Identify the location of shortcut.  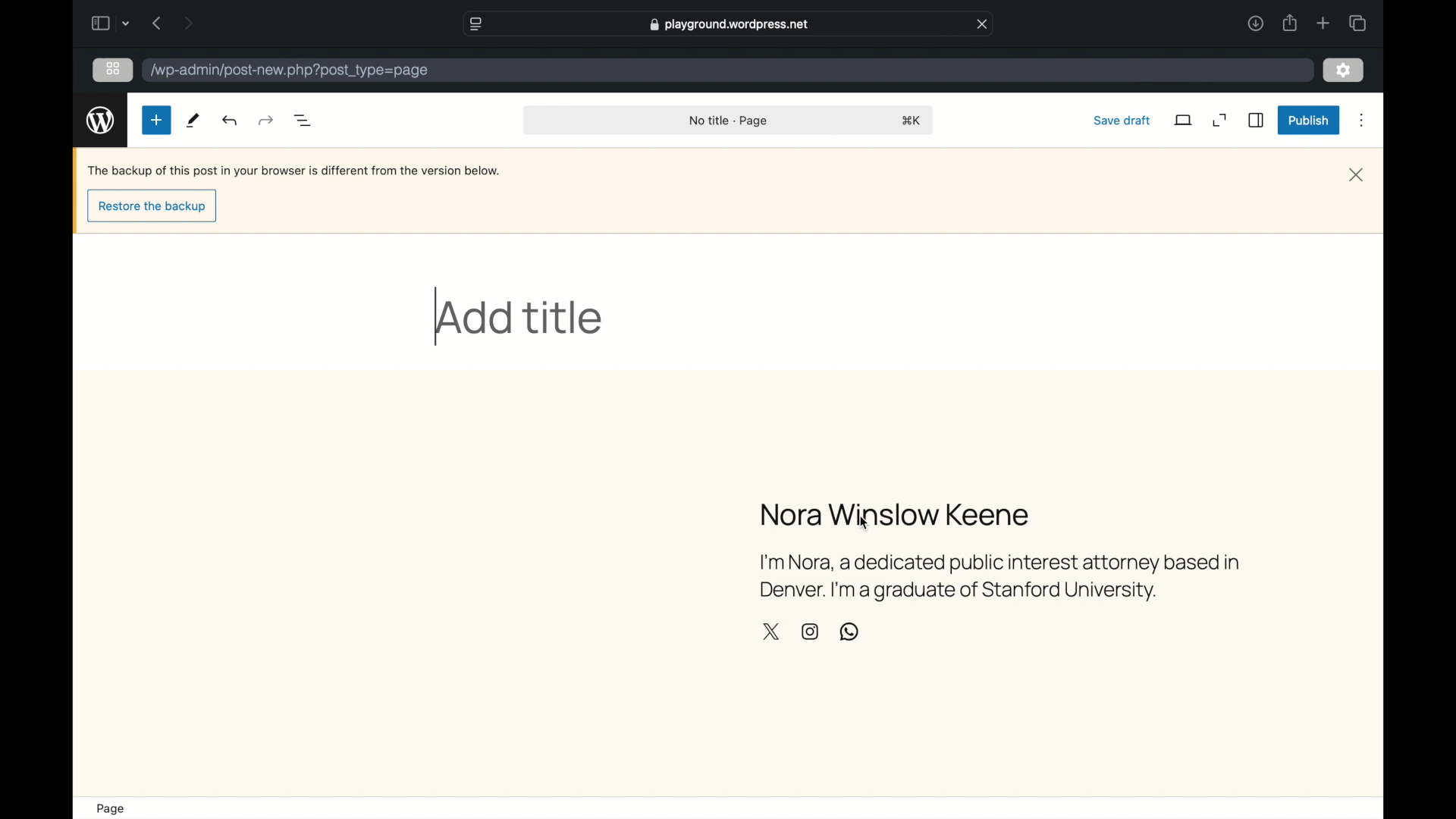
(912, 120).